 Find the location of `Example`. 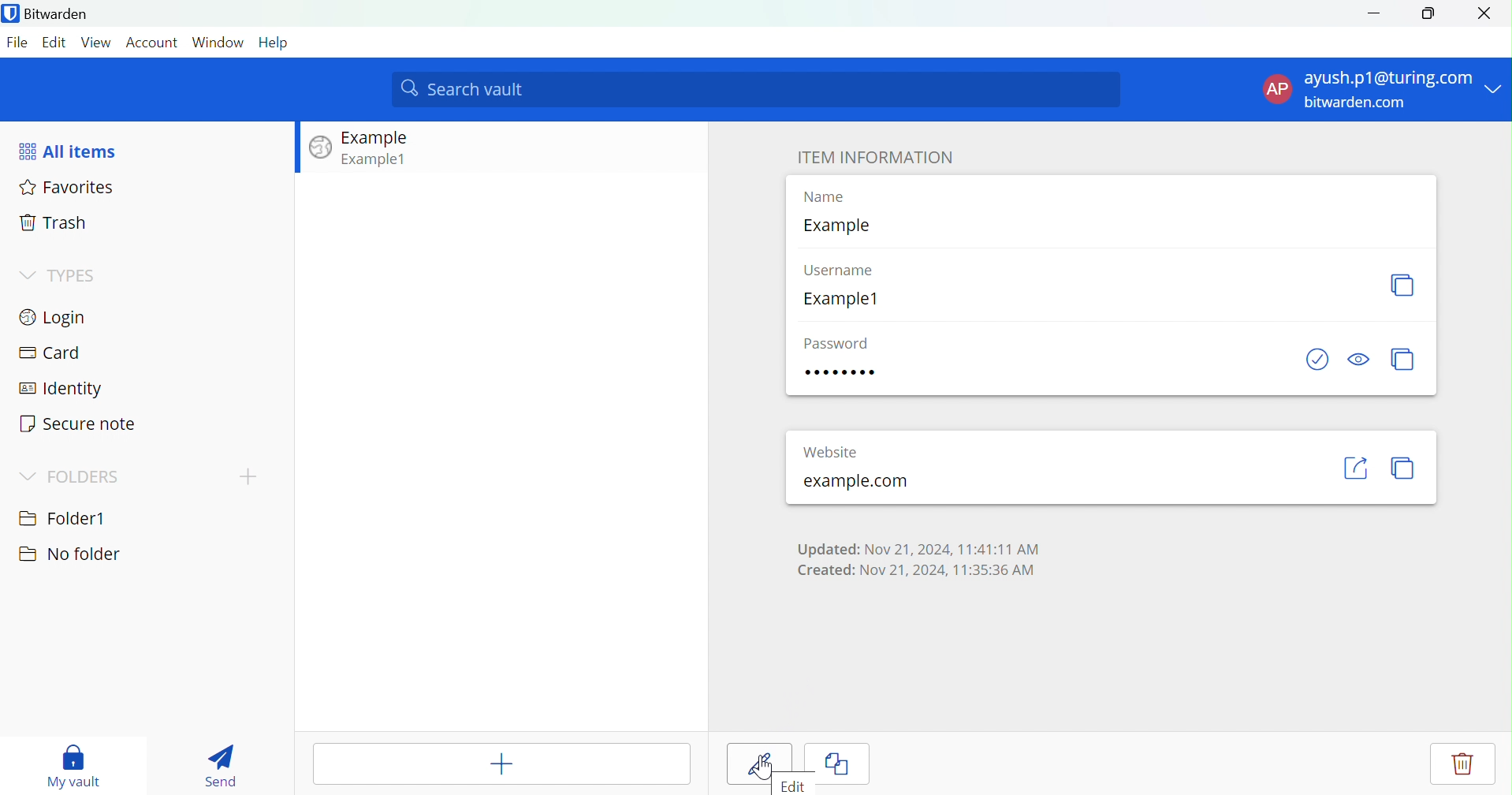

Example is located at coordinates (836, 226).